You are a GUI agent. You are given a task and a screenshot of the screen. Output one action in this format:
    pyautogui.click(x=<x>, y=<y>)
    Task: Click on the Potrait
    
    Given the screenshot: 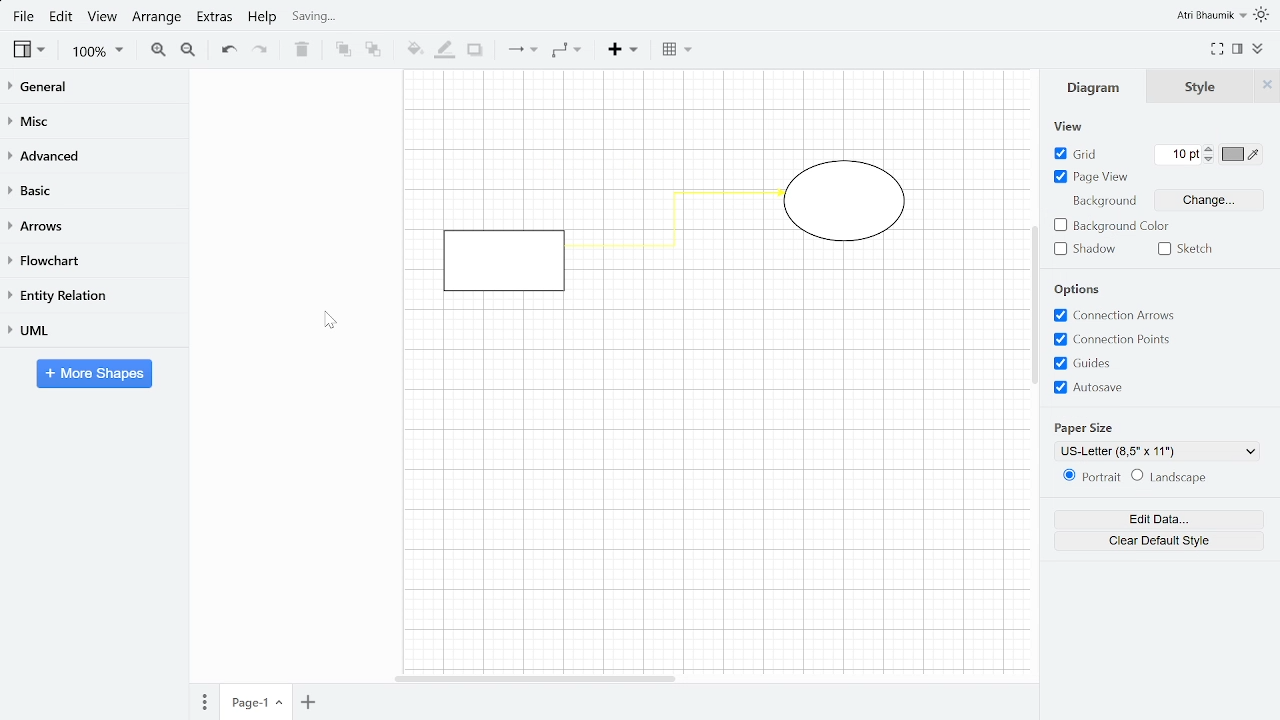 What is the action you would take?
    pyautogui.click(x=1087, y=478)
    